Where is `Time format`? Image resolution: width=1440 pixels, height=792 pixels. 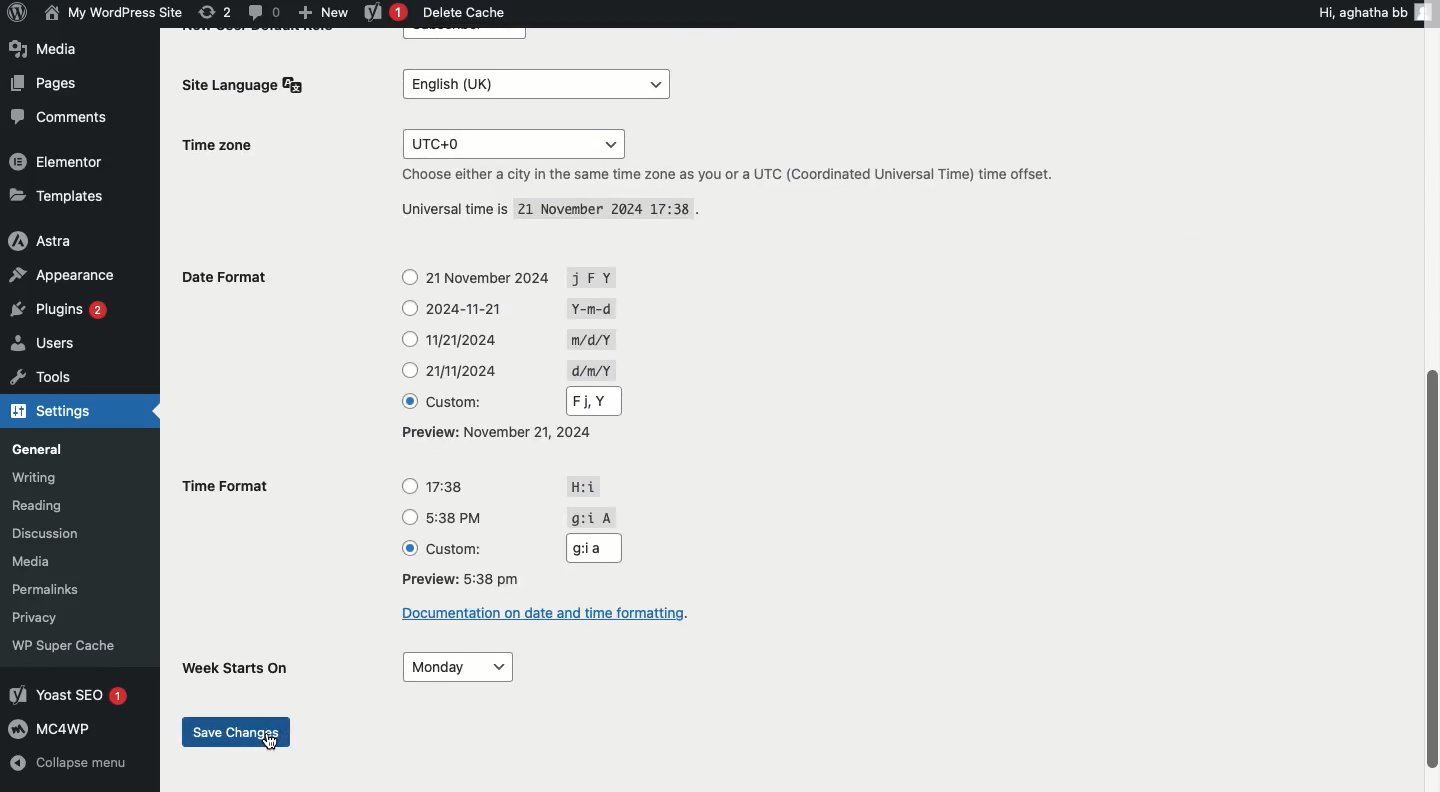 Time format is located at coordinates (233, 487).